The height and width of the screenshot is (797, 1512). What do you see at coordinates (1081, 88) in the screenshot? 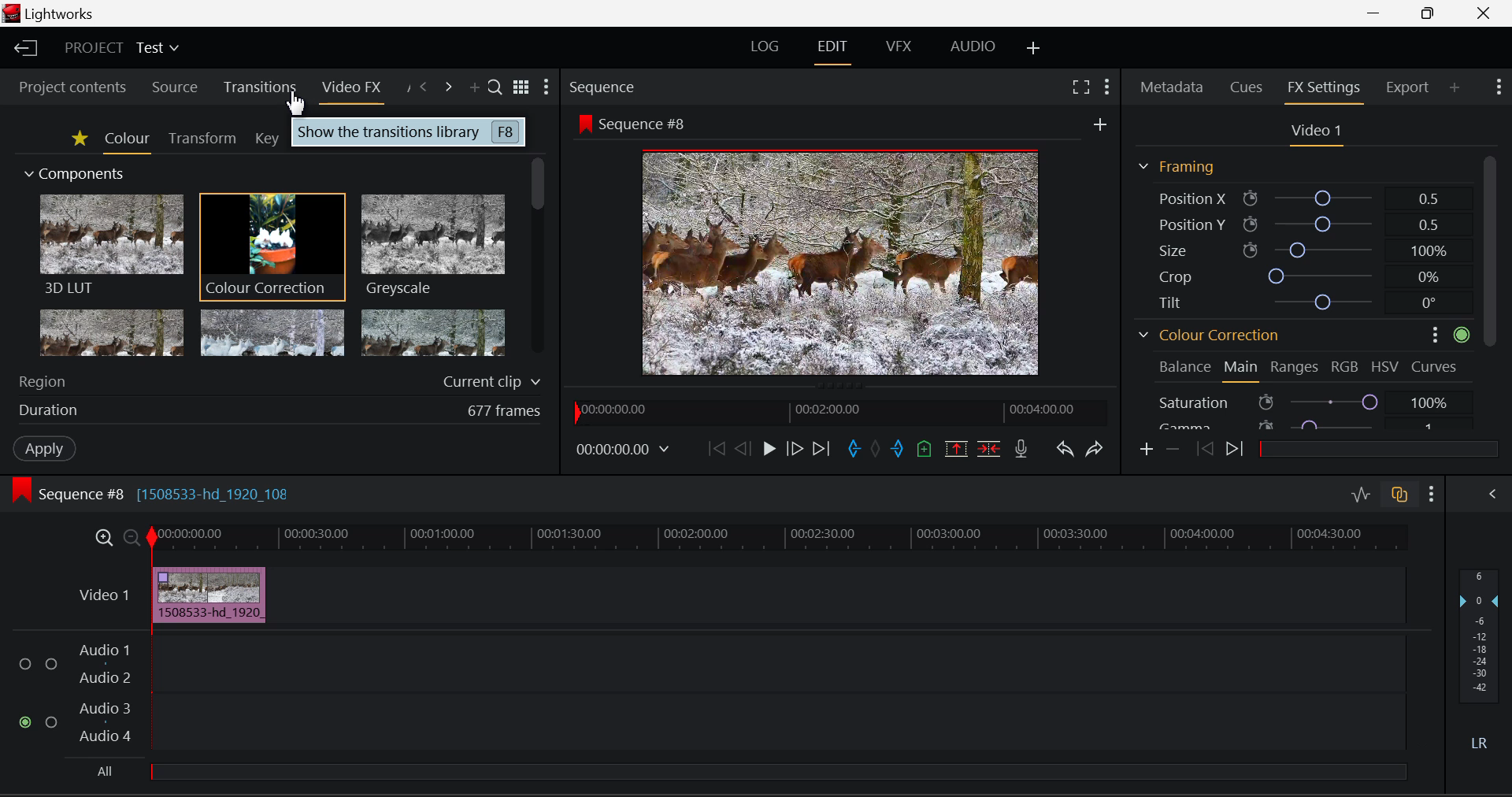
I see `Full Screen` at bounding box center [1081, 88].